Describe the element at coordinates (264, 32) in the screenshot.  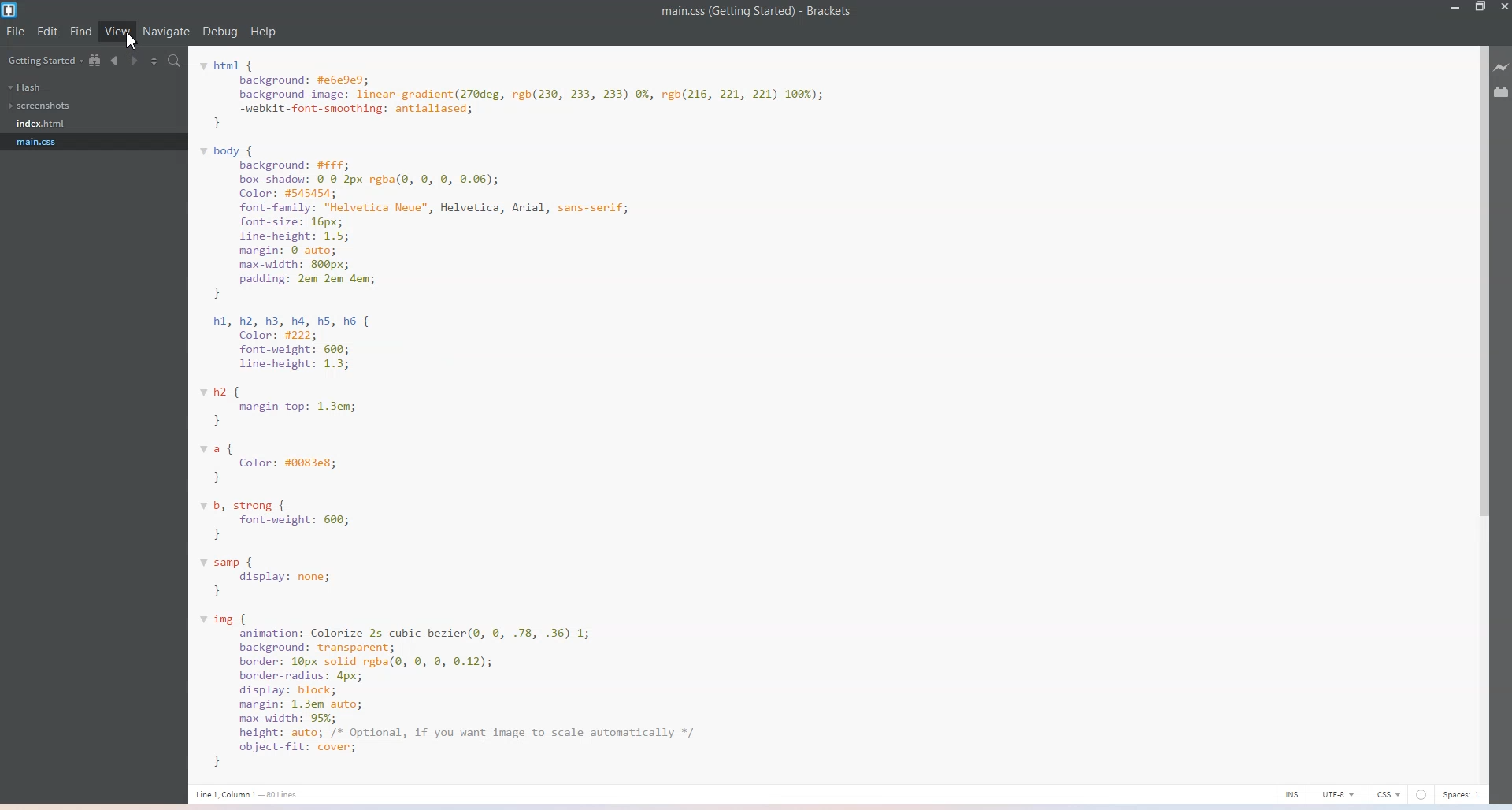
I see `Help` at that location.